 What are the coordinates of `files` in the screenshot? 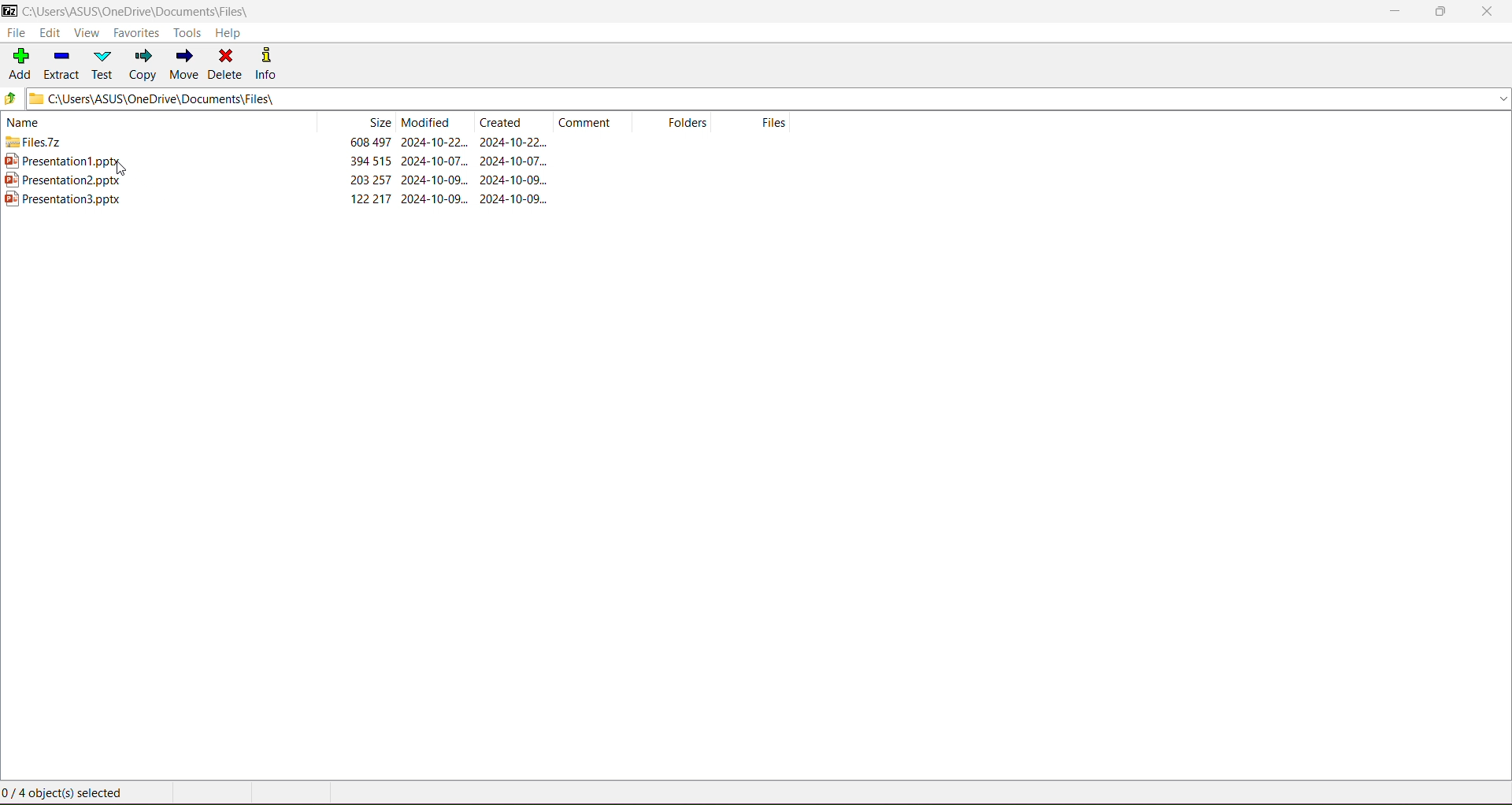 It's located at (774, 122).